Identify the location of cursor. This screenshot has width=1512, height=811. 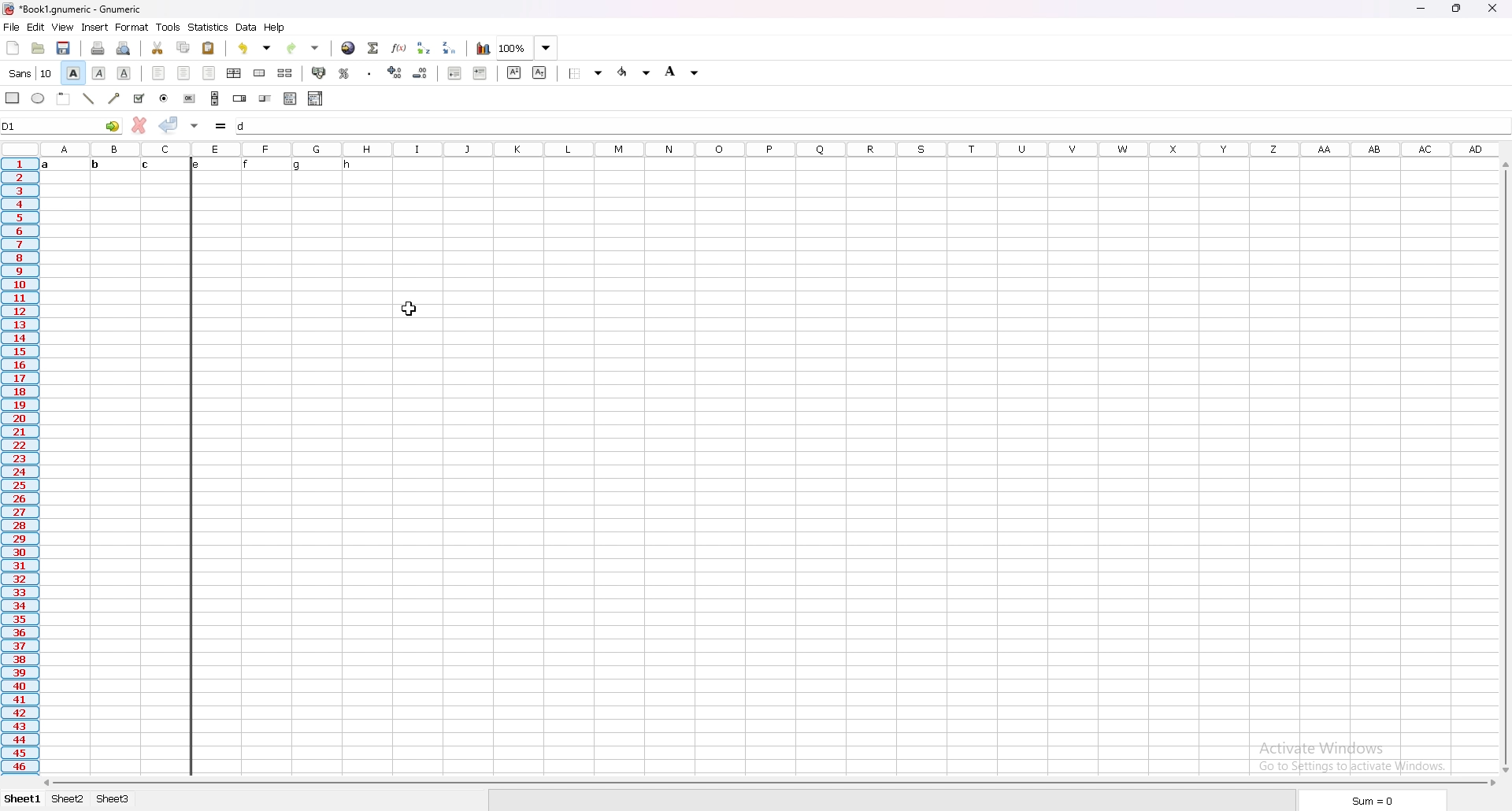
(411, 306).